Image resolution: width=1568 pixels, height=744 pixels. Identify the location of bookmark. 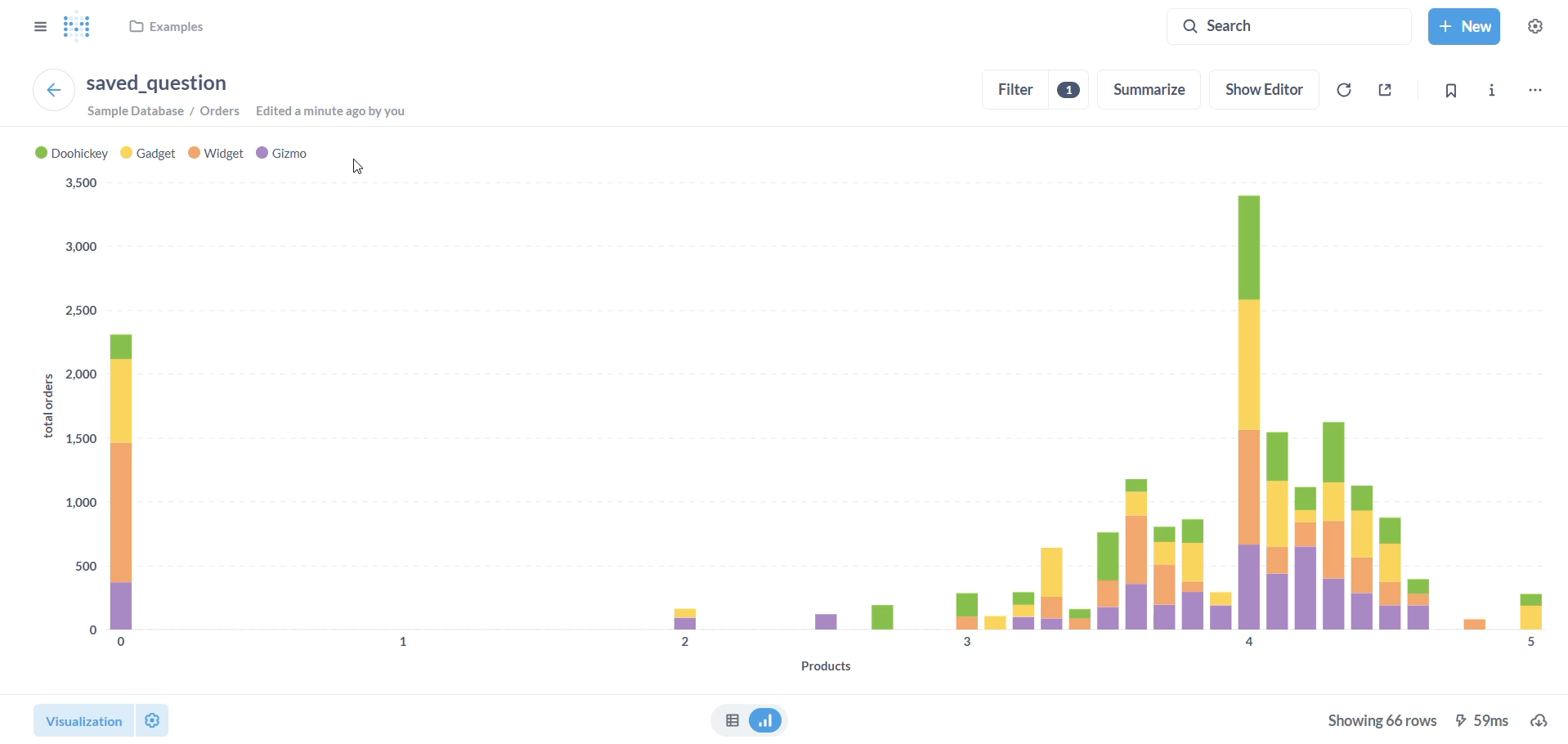
(1444, 92).